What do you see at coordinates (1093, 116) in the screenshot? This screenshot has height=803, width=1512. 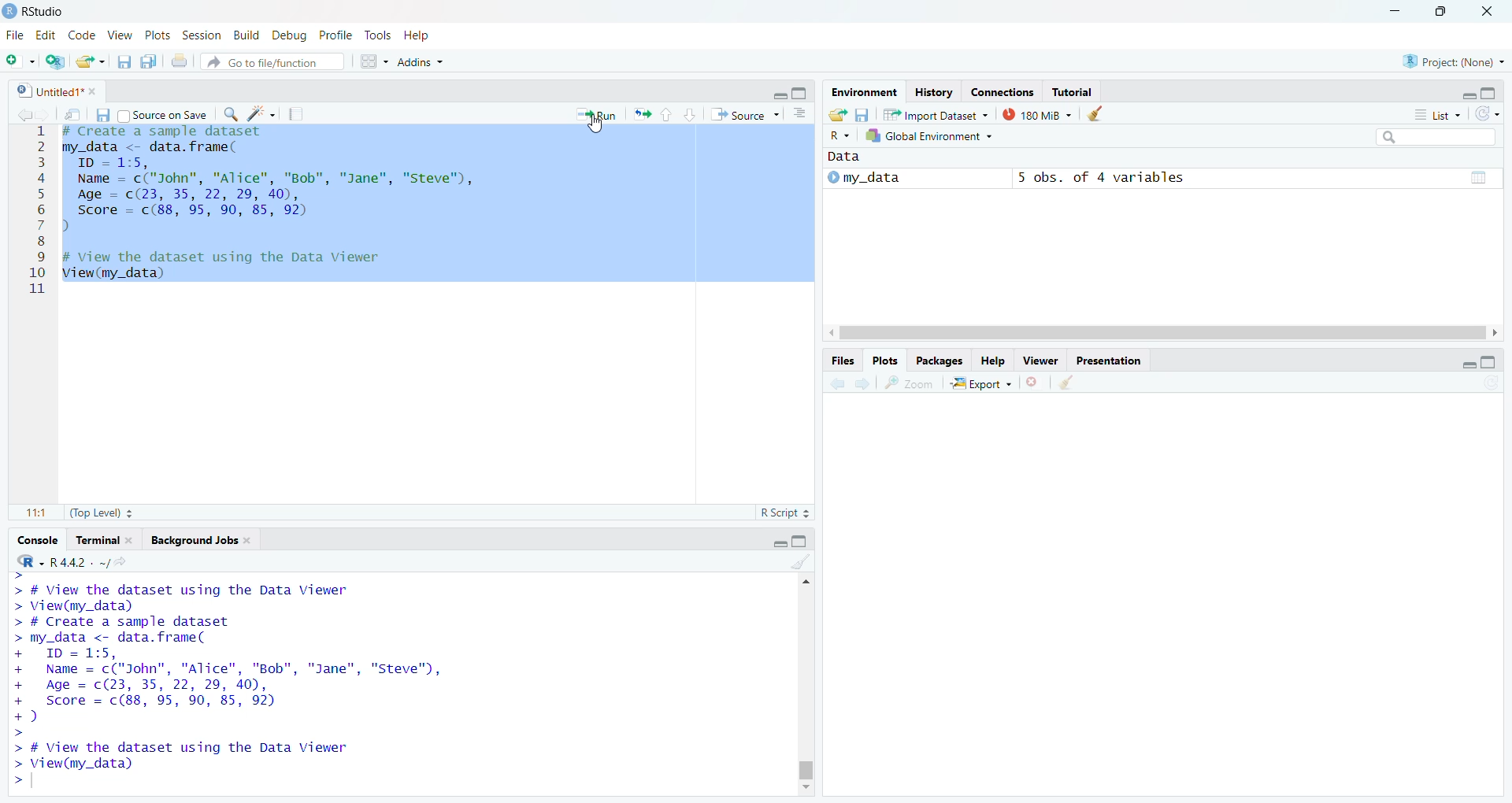 I see `Clear objects from the workspace` at bounding box center [1093, 116].